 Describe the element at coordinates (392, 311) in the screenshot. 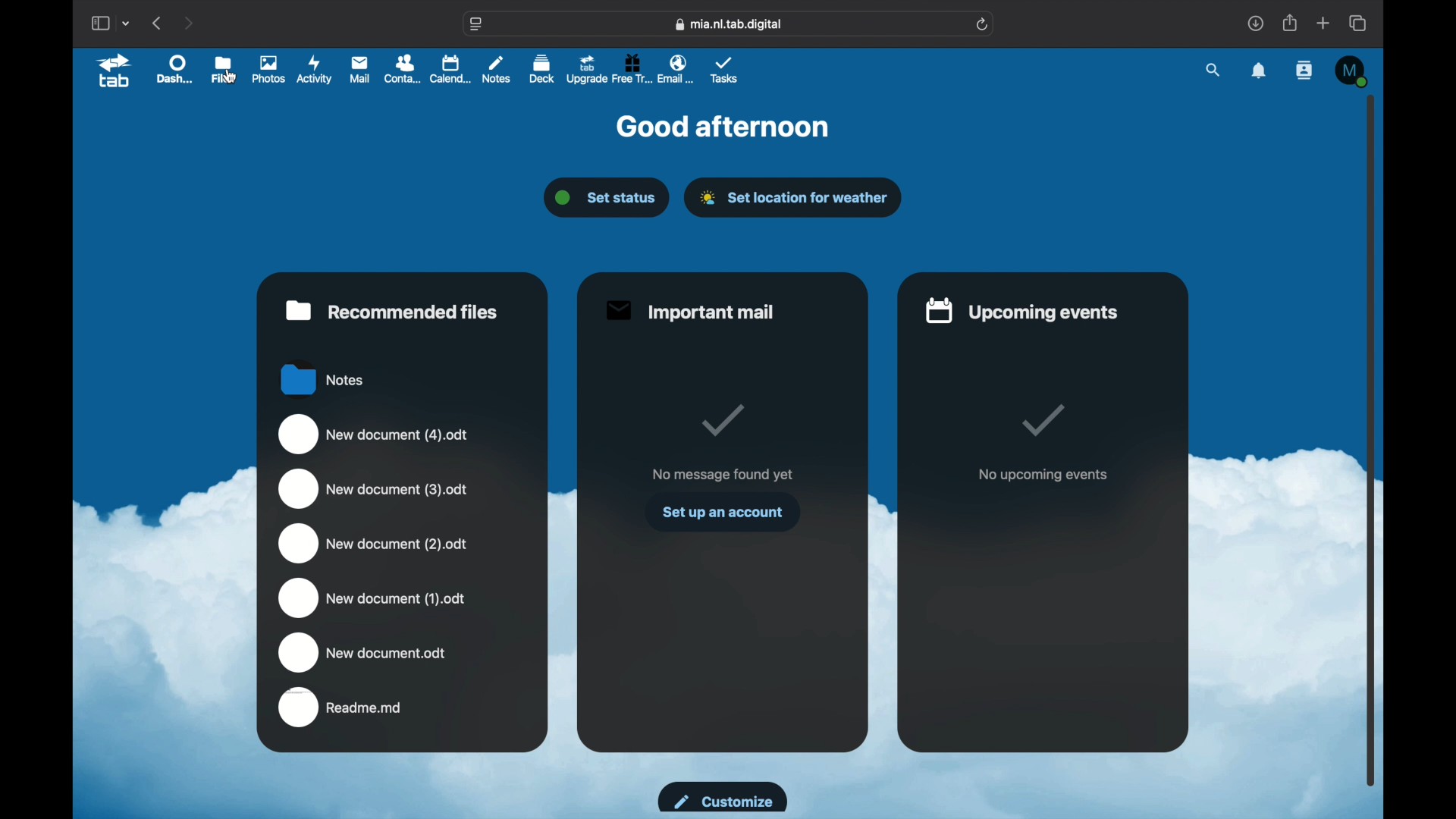

I see `recommended files` at that location.